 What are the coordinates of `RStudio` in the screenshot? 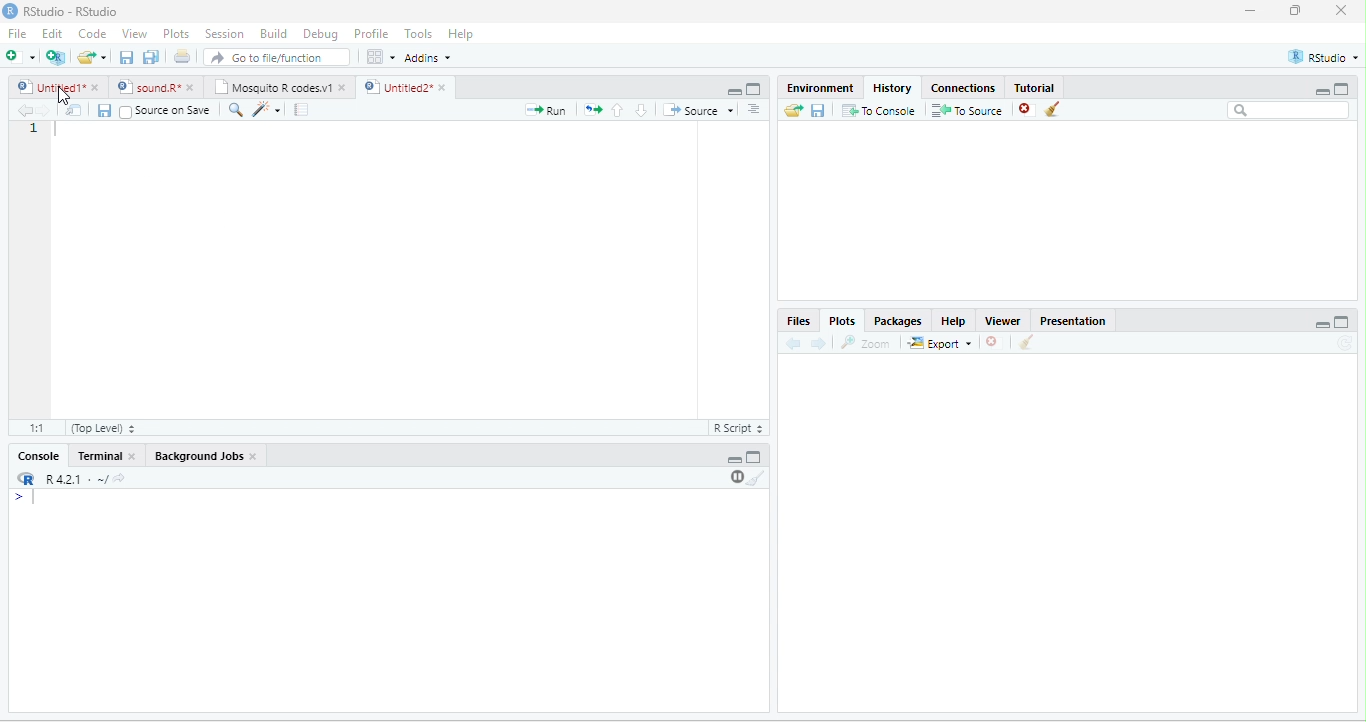 It's located at (1324, 57).